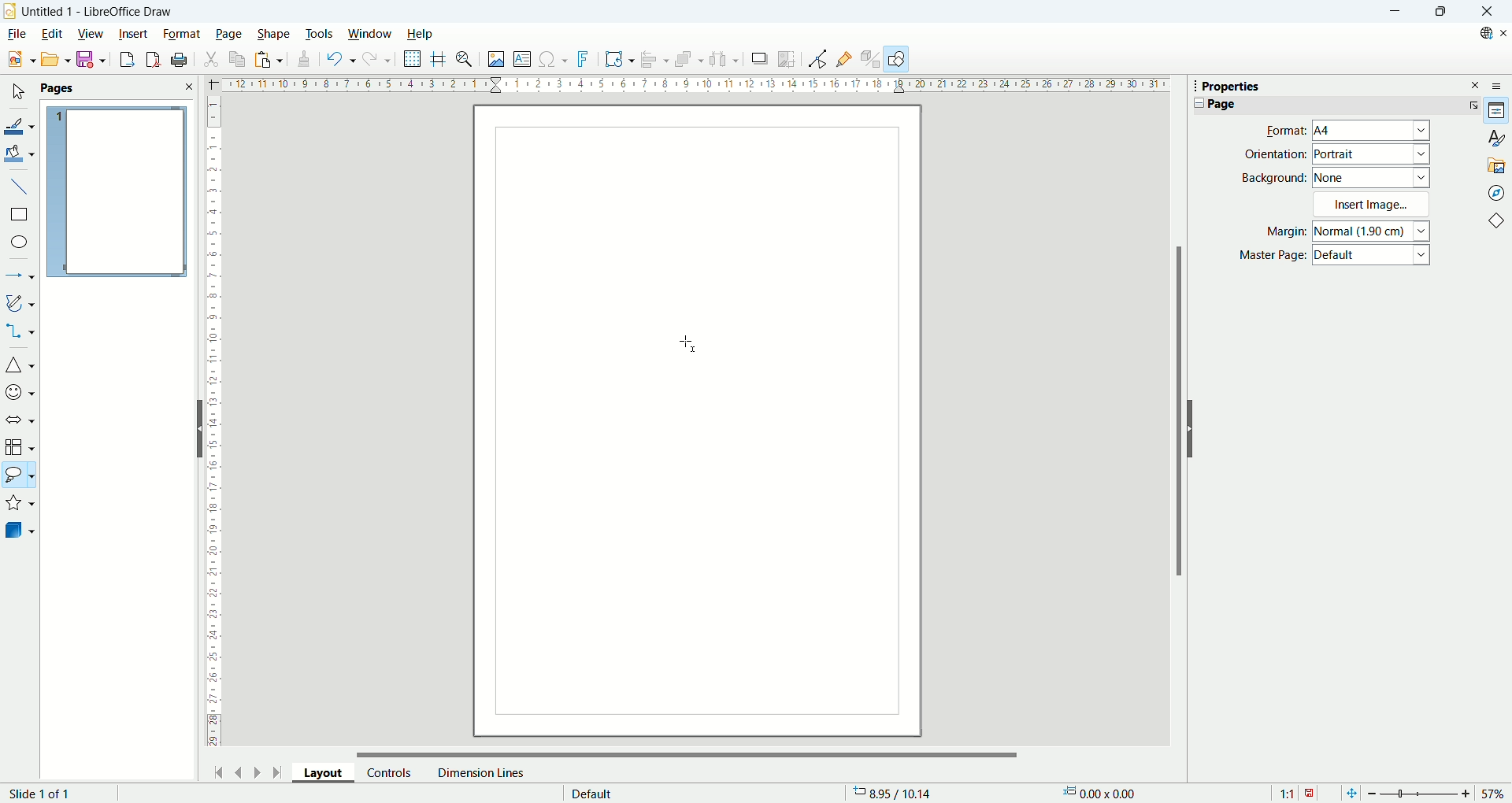 Image resolution: width=1512 pixels, height=803 pixels. What do you see at coordinates (1487, 12) in the screenshot?
I see `Close` at bounding box center [1487, 12].